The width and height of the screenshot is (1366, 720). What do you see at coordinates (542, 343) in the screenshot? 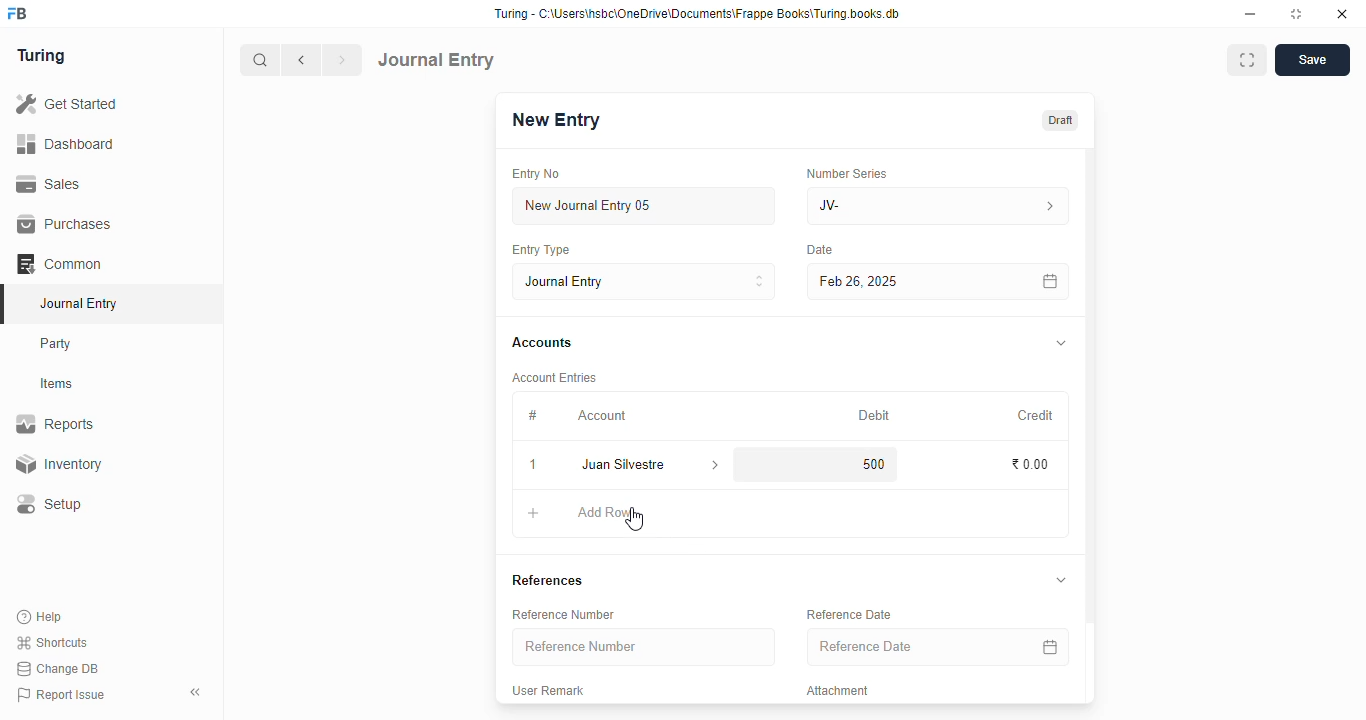
I see `accounts` at bounding box center [542, 343].